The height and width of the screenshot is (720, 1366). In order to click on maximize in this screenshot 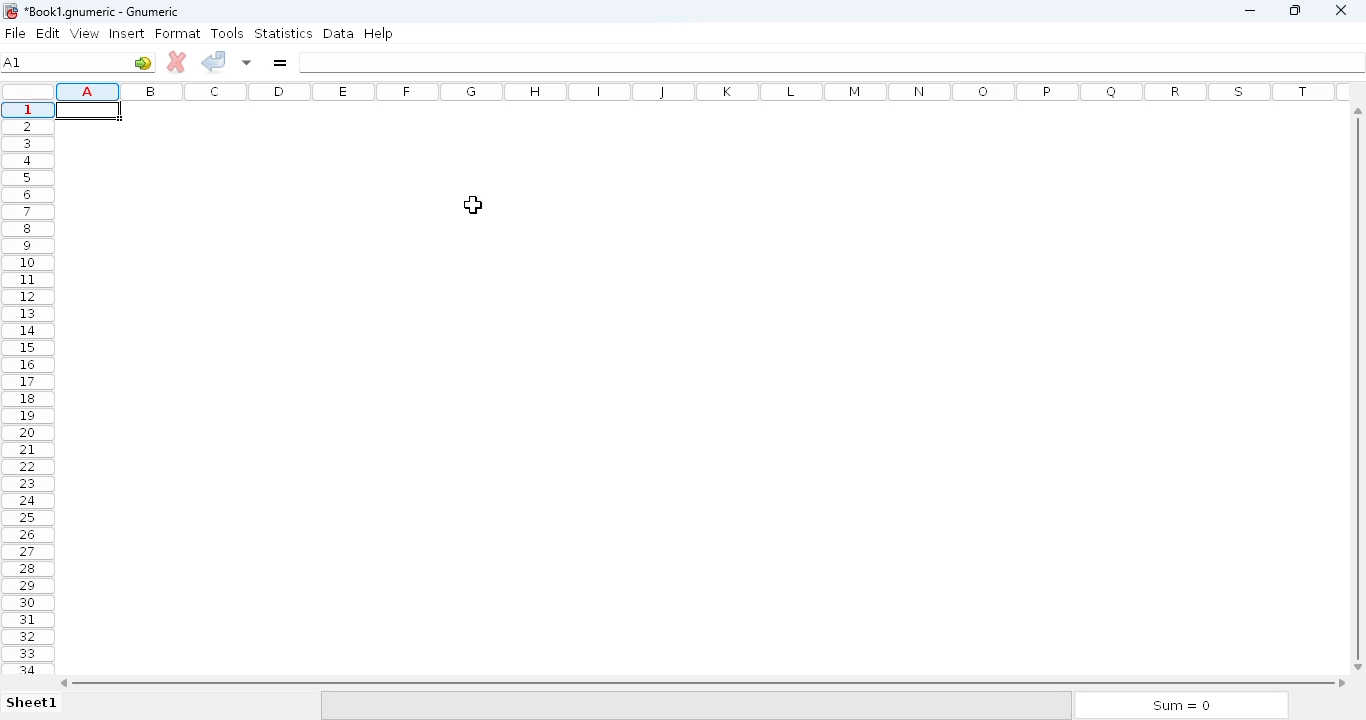, I will do `click(1296, 10)`.